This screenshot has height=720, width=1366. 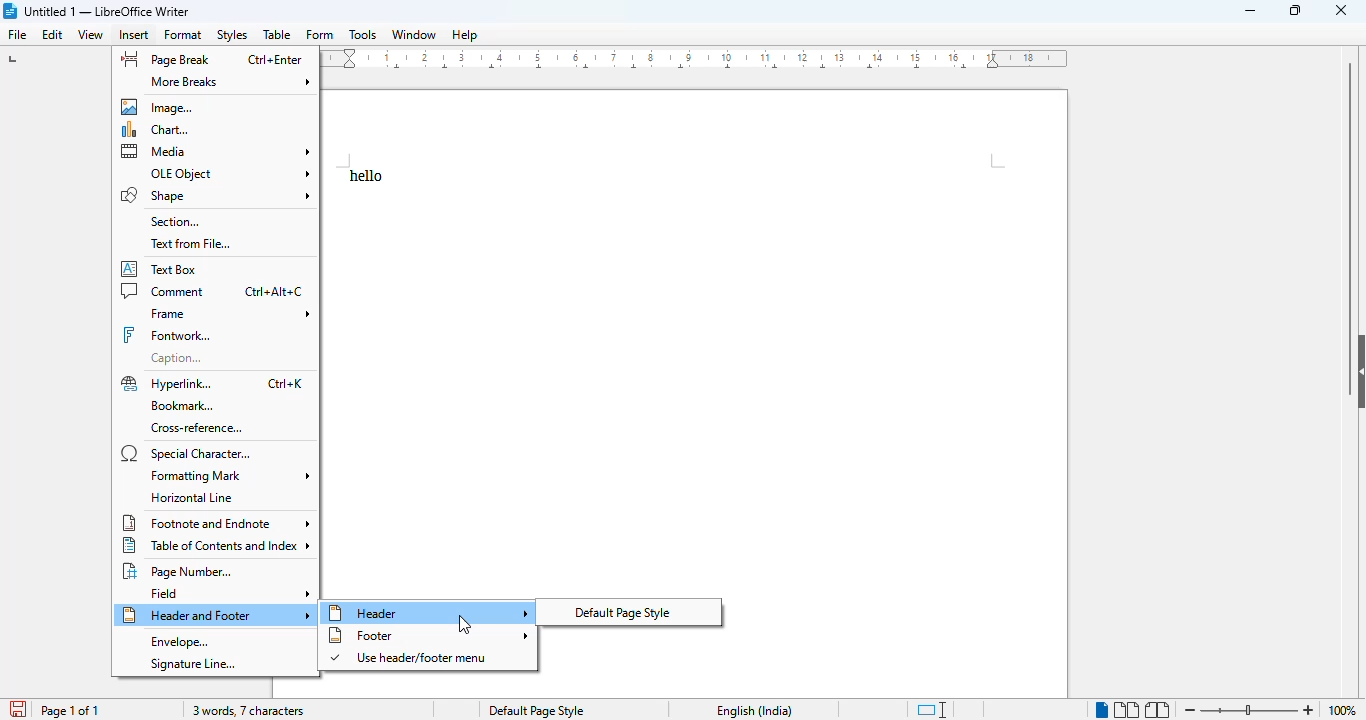 What do you see at coordinates (430, 635) in the screenshot?
I see `footer` at bounding box center [430, 635].